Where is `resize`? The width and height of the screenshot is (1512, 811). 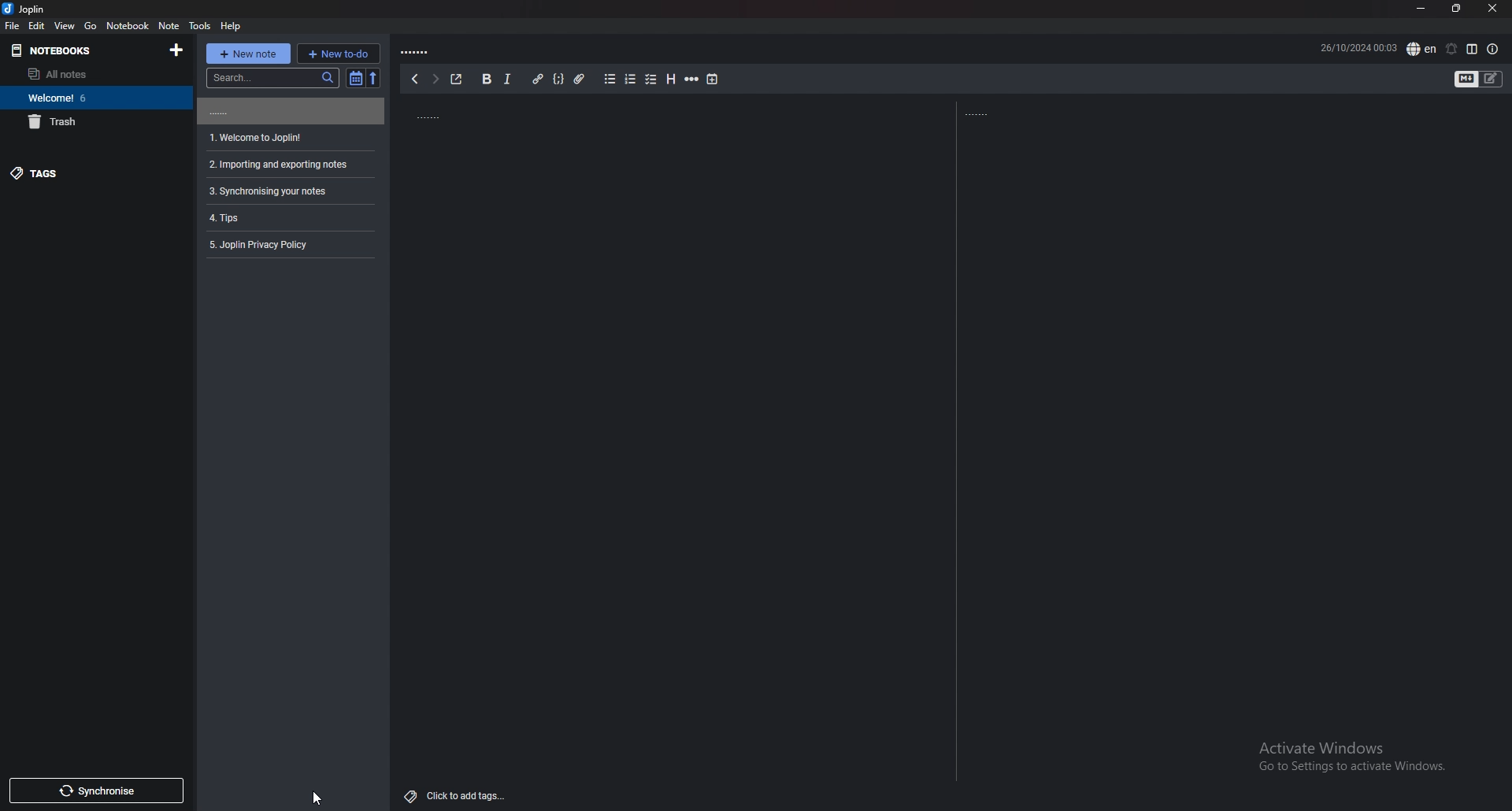 resize is located at coordinates (1455, 9).